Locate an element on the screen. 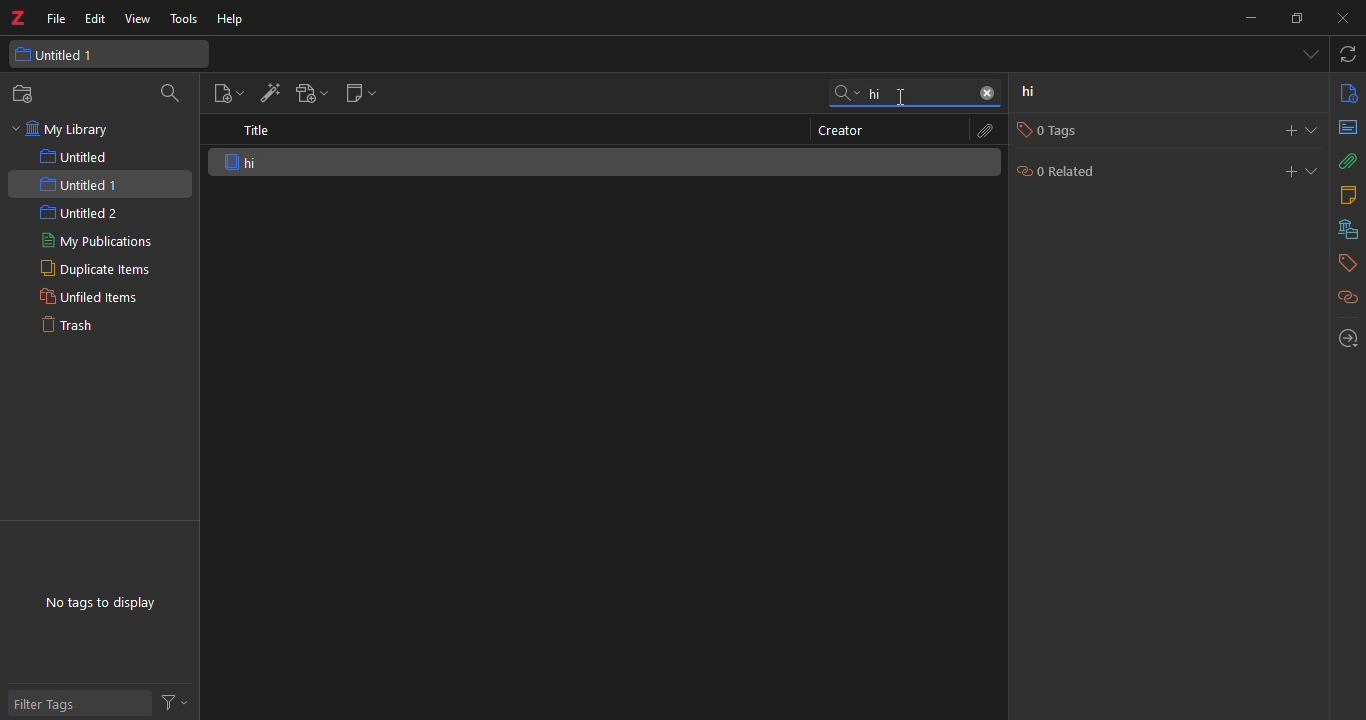 This screenshot has width=1366, height=720. minimize is located at coordinates (1251, 19).